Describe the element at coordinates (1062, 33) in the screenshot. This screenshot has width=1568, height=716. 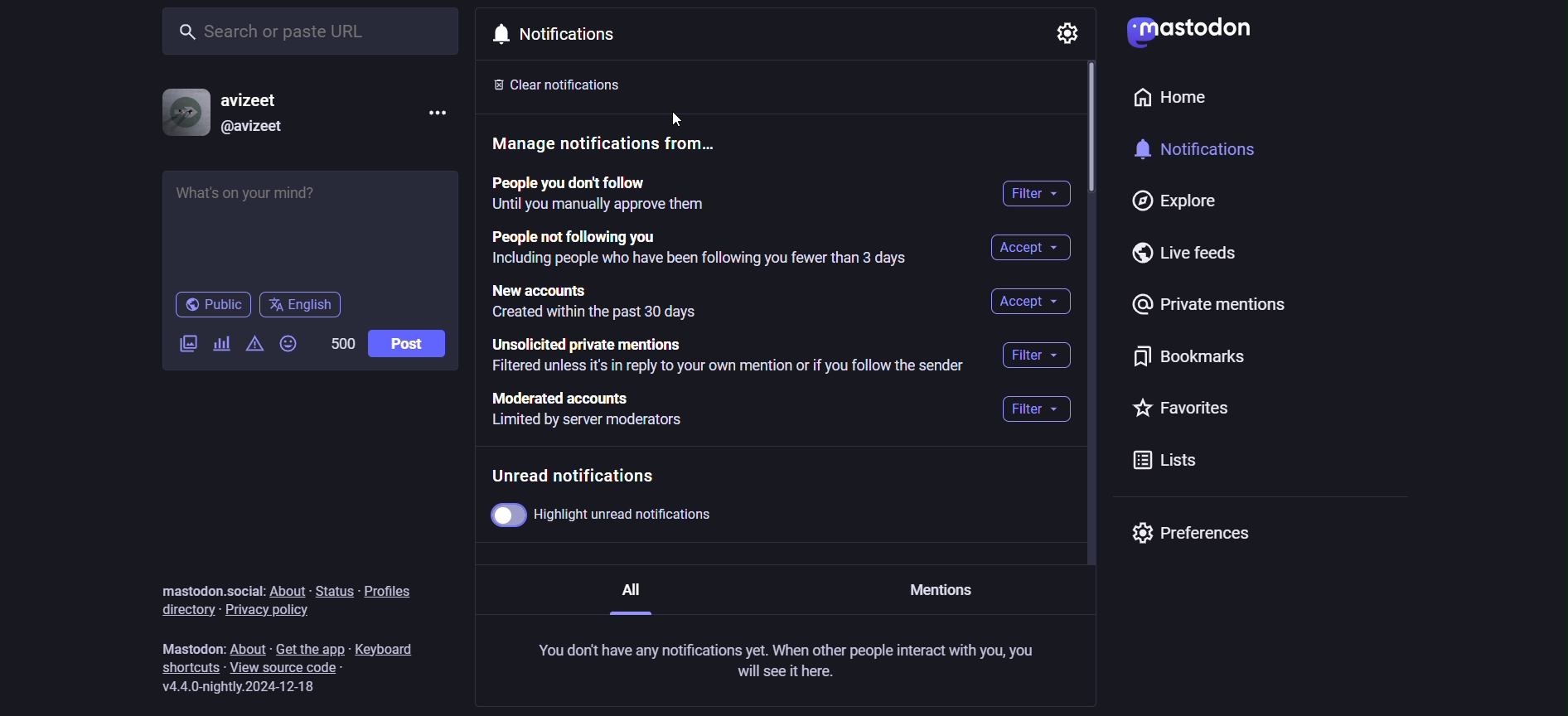
I see `setting` at that location.